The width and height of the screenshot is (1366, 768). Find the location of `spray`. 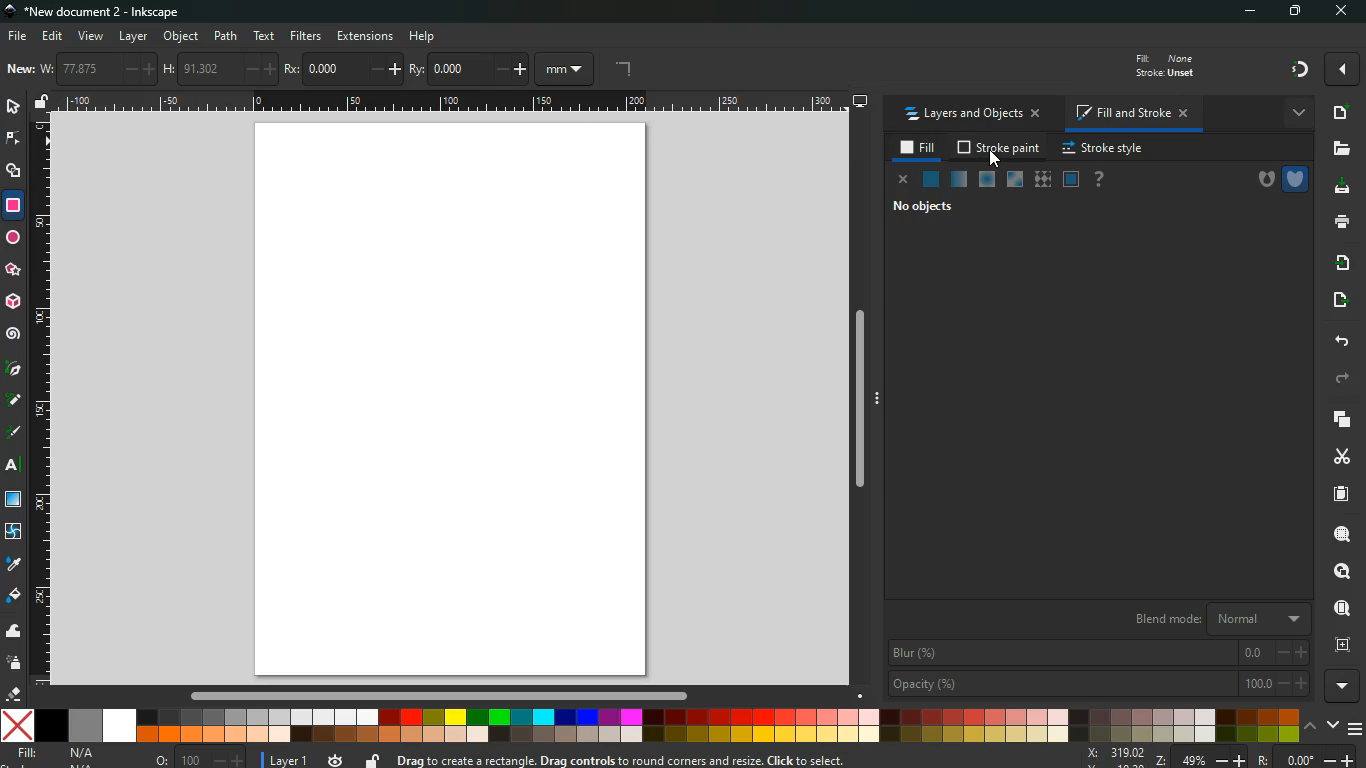

spray is located at coordinates (14, 664).